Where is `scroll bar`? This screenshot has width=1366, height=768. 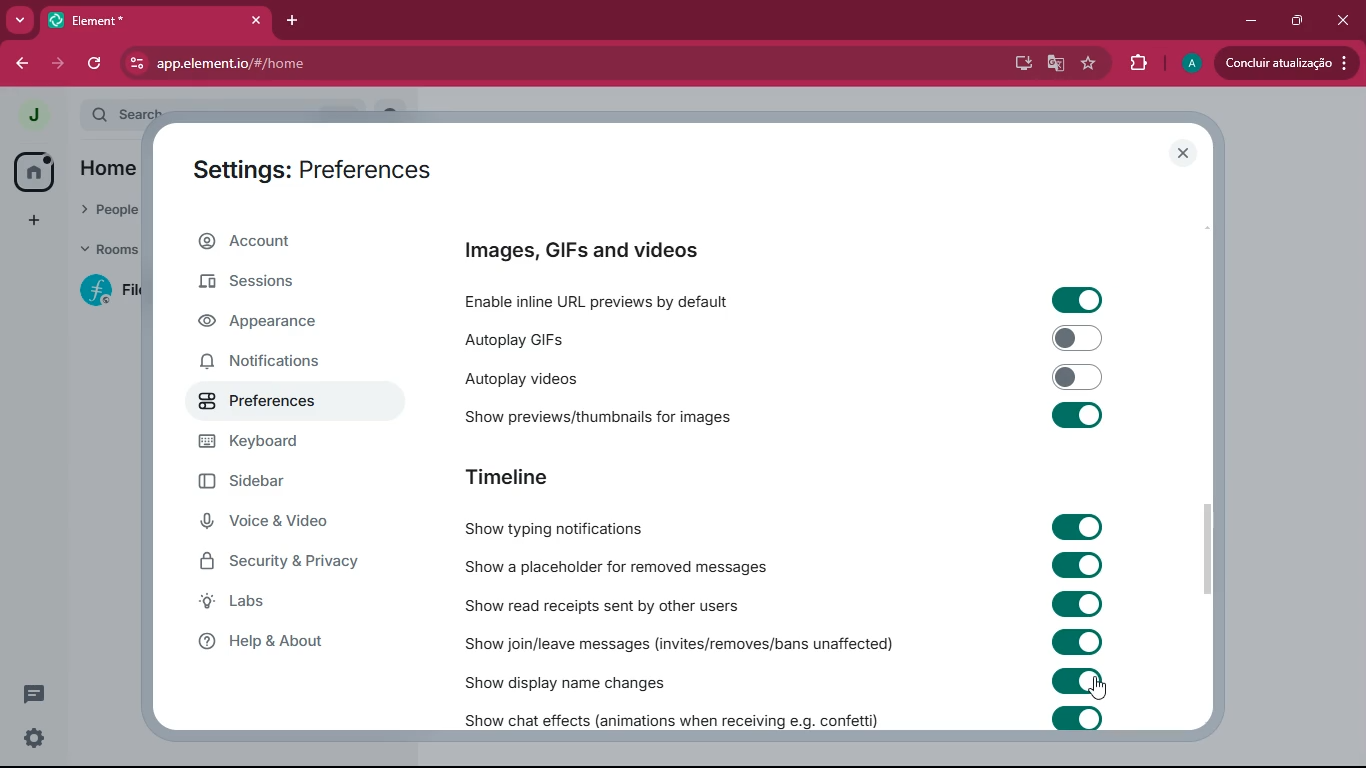
scroll bar is located at coordinates (1208, 547).